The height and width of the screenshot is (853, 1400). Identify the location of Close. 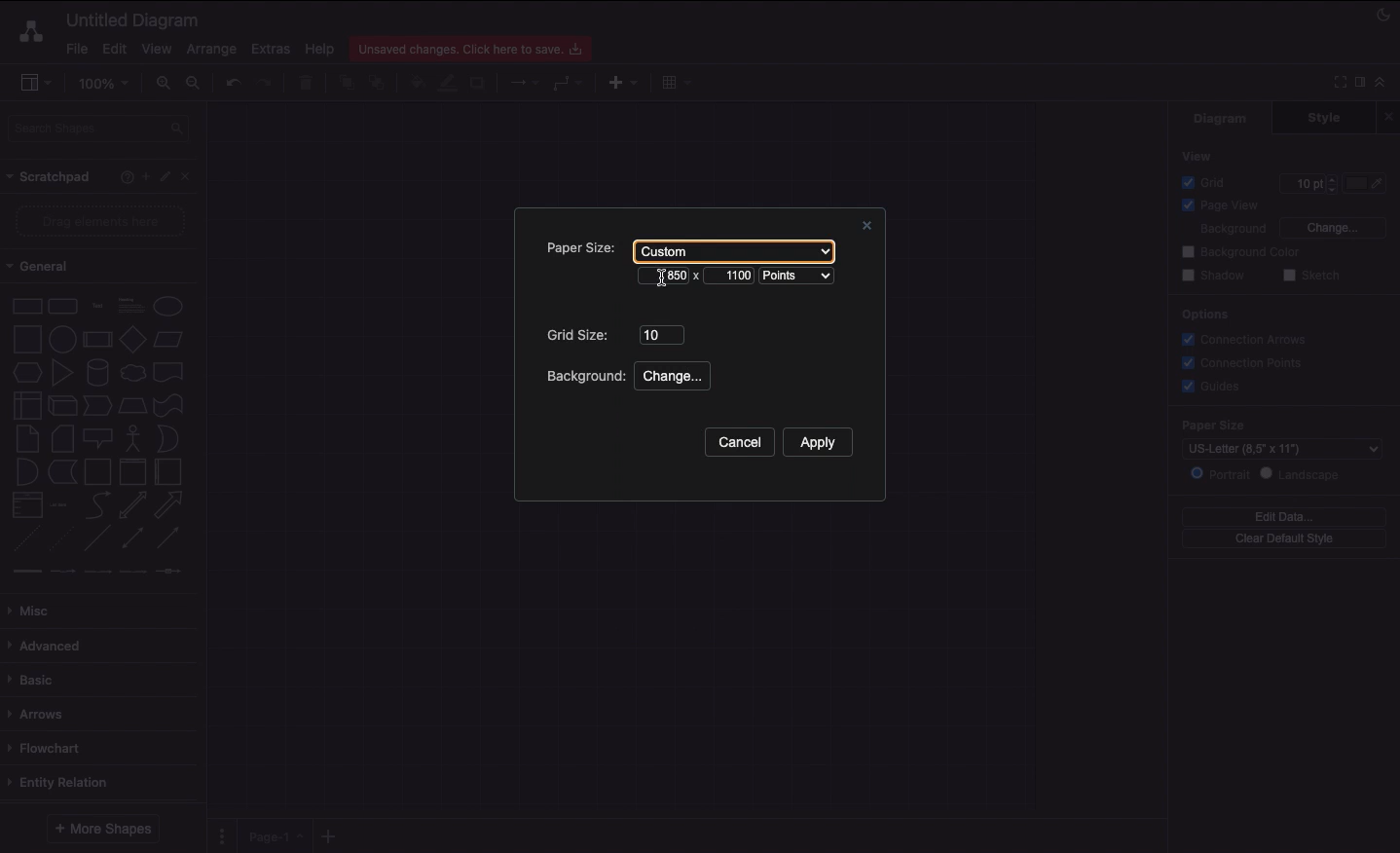
(1391, 116).